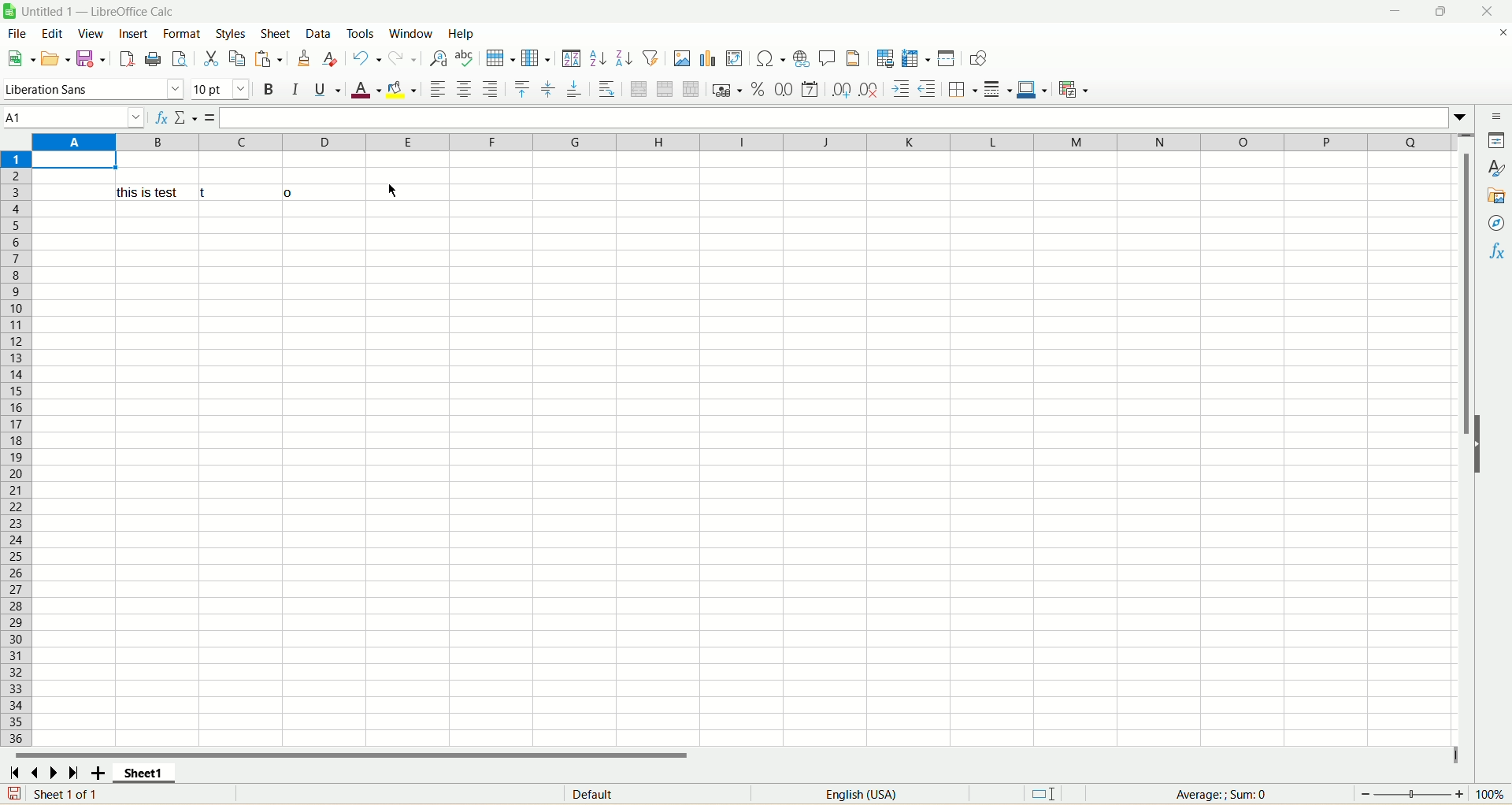 This screenshot has width=1512, height=805. Describe the element at coordinates (915, 60) in the screenshot. I see `freeze row and column` at that location.